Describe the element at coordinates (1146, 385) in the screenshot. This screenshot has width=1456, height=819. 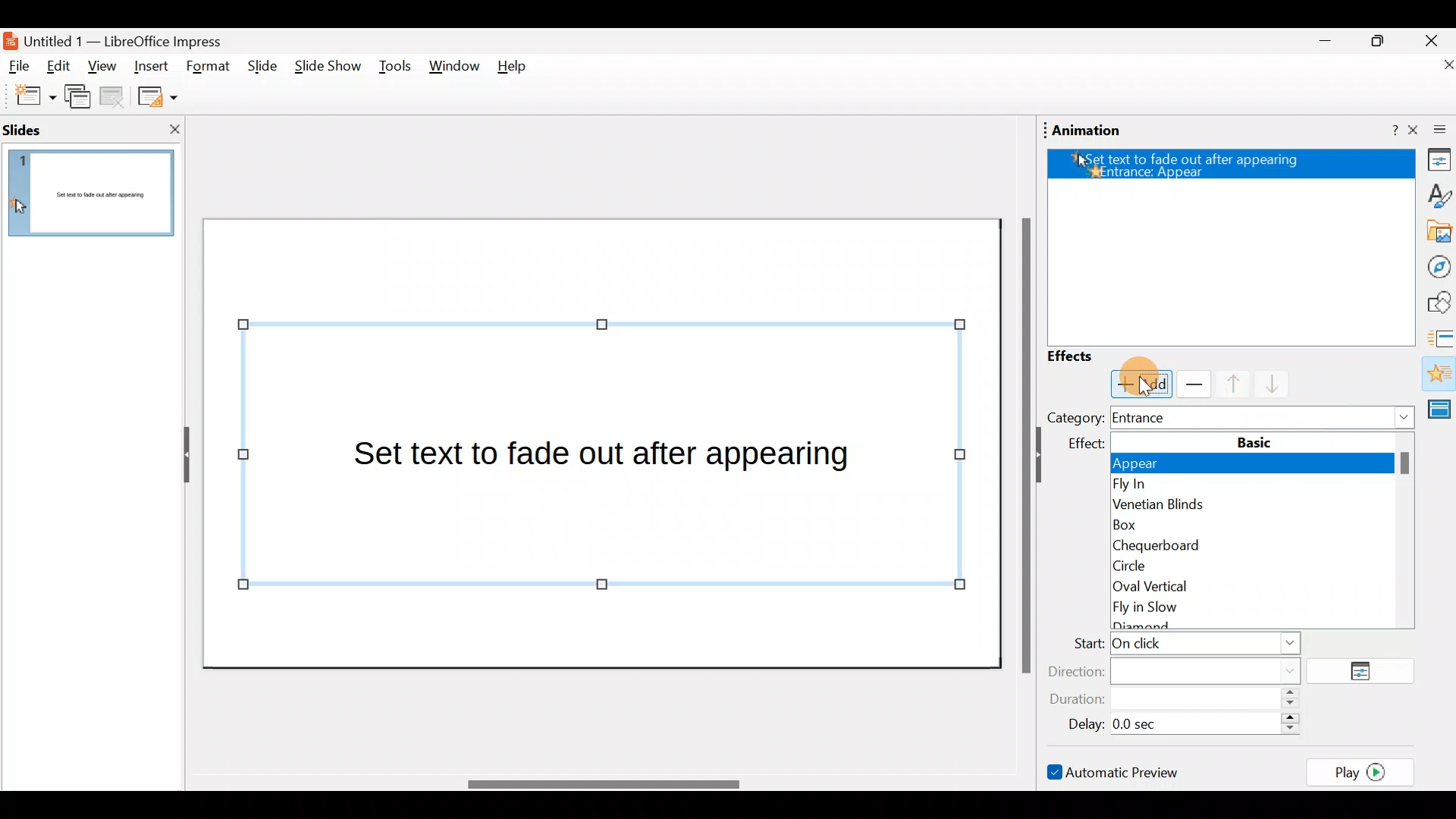
I see `Cursor` at that location.